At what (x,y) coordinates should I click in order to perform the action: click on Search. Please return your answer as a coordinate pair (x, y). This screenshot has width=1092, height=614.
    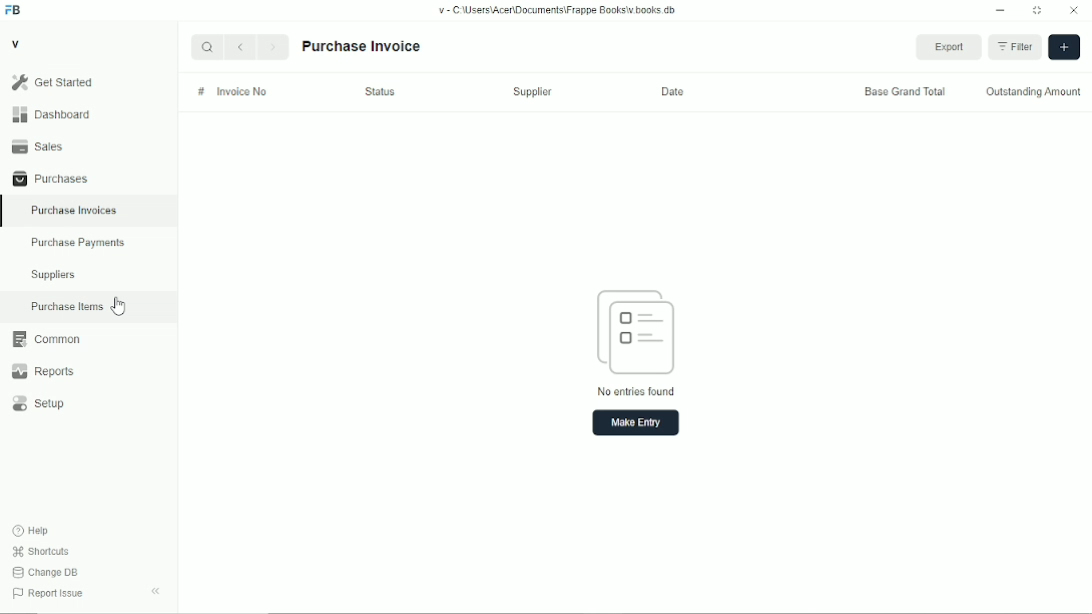
    Looking at the image, I should click on (207, 47).